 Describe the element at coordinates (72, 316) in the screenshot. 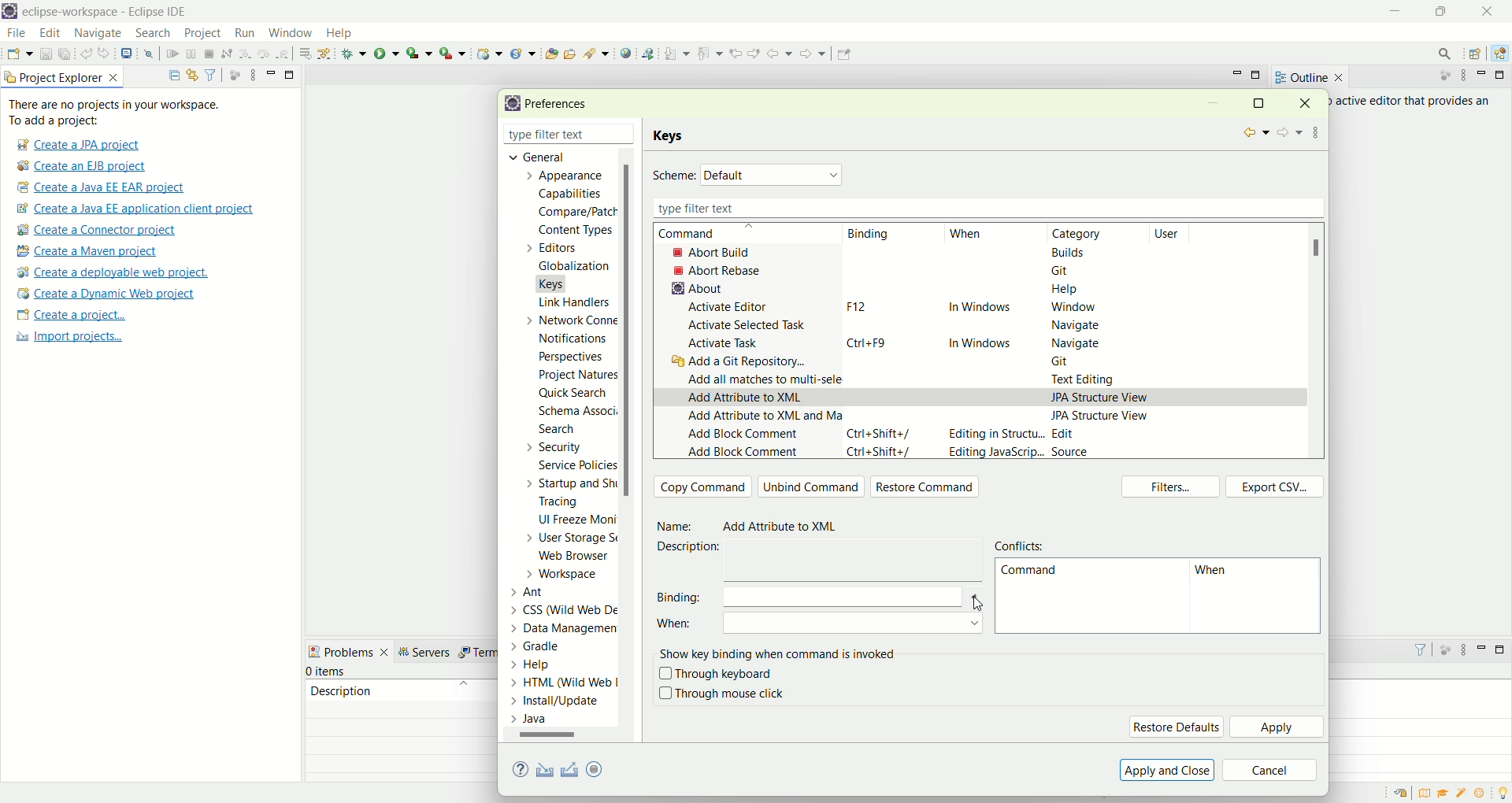

I see `create a project` at that location.